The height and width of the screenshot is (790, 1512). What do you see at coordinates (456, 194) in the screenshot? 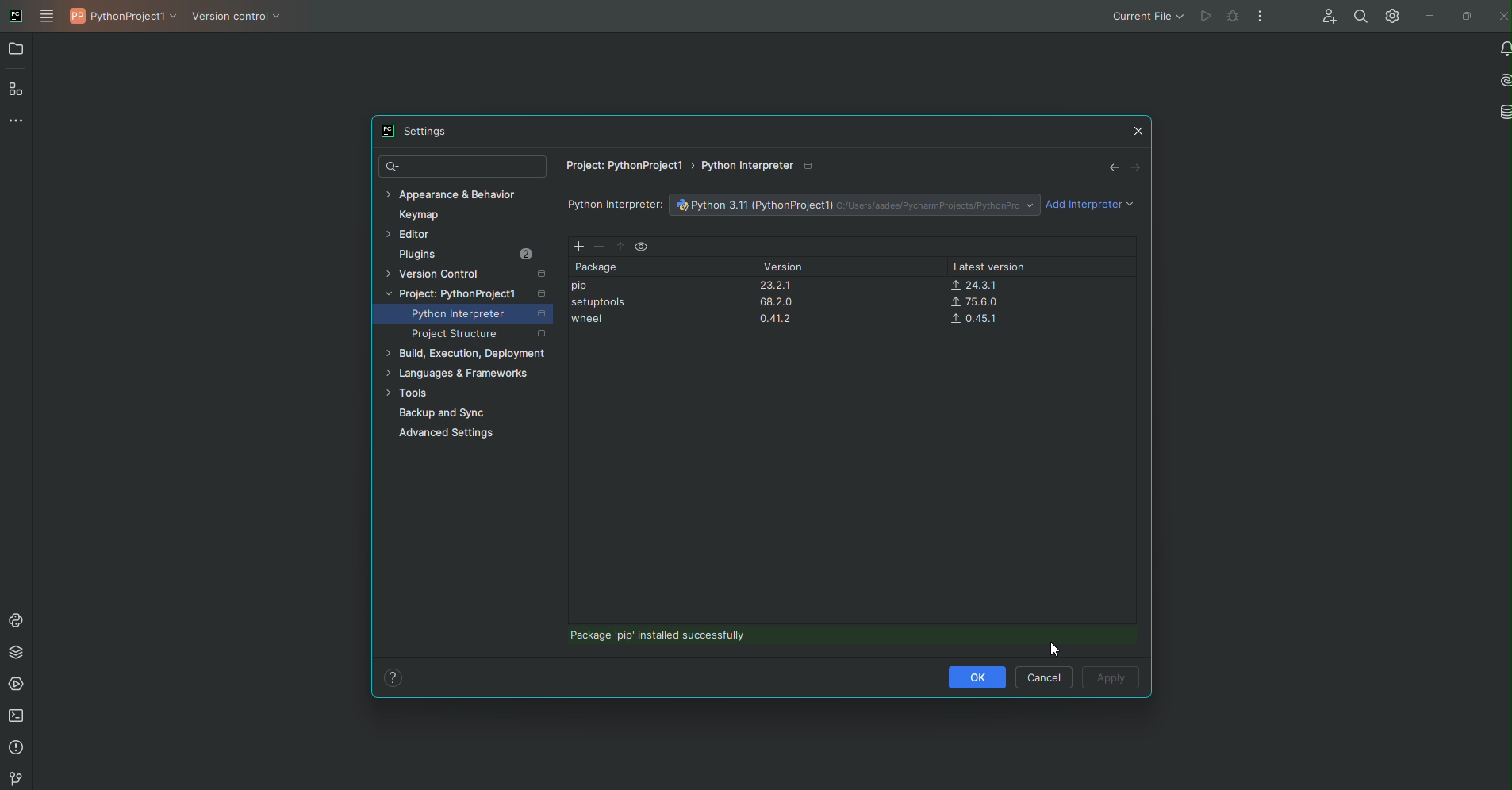
I see `Appearance and behavior` at bounding box center [456, 194].